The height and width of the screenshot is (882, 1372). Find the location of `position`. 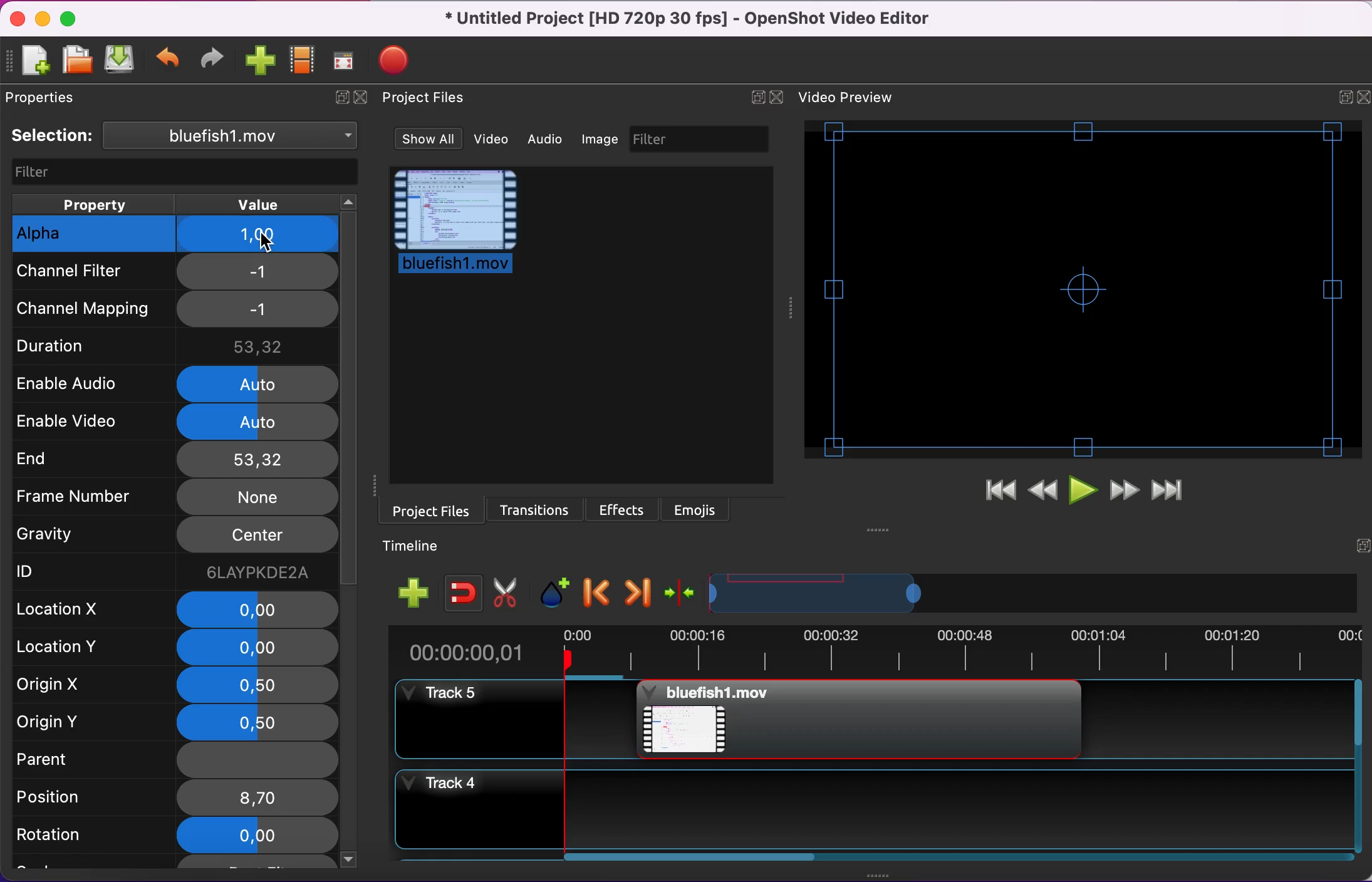

position is located at coordinates (66, 799).